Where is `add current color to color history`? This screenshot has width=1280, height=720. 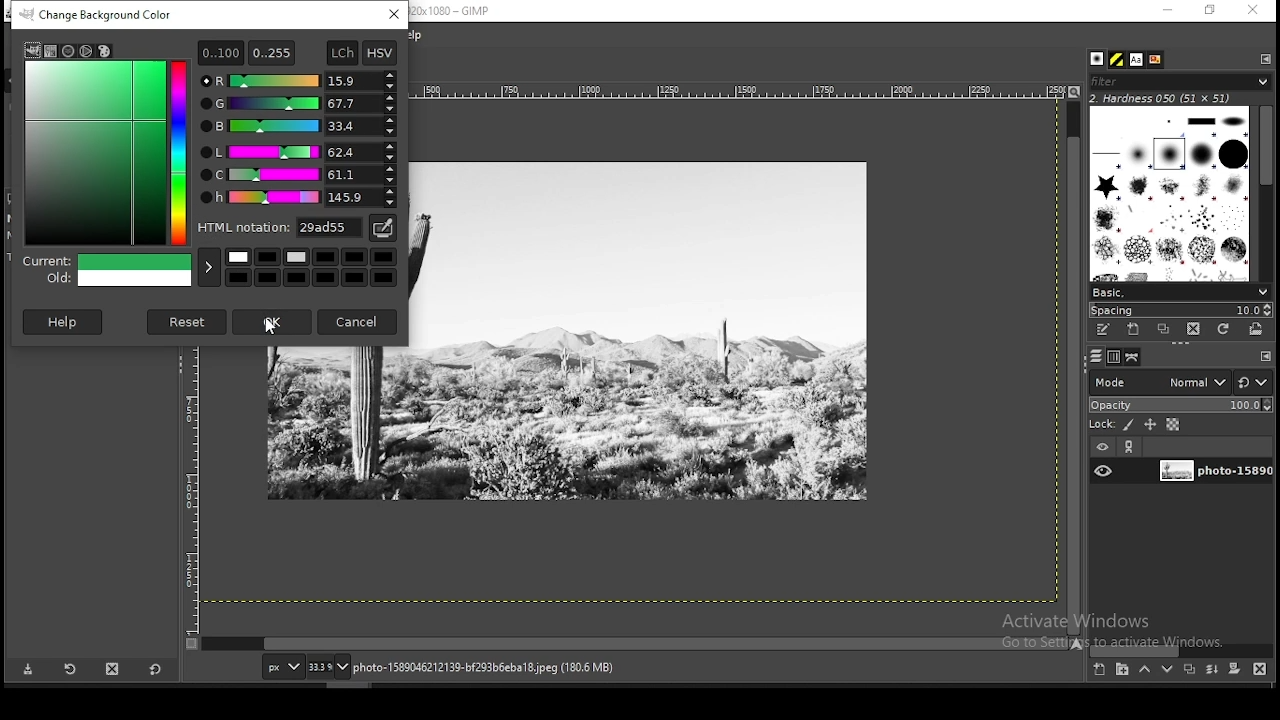 add current color to color history is located at coordinates (209, 267).